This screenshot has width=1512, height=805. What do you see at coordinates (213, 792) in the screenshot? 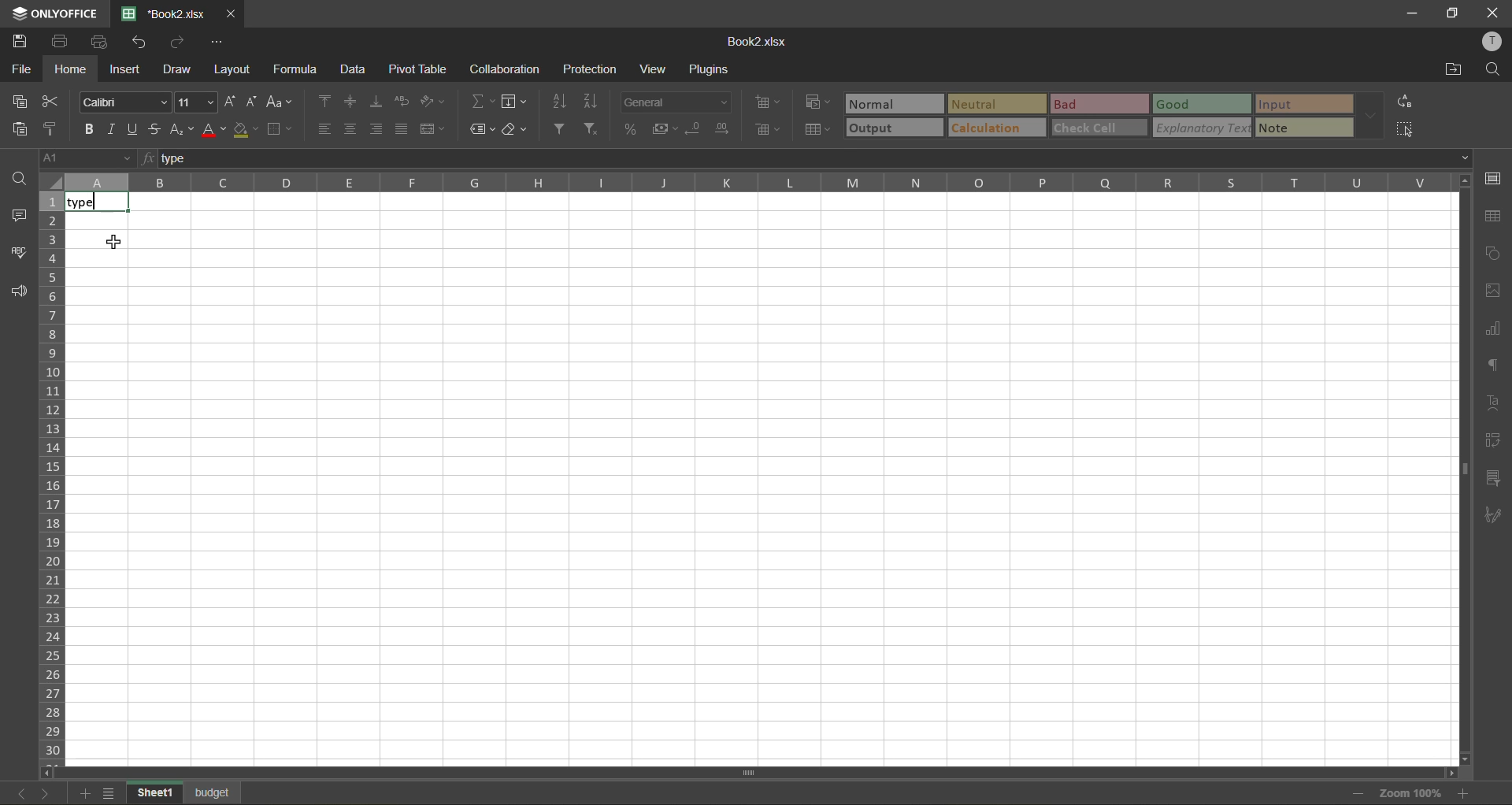
I see `sheet` at bounding box center [213, 792].